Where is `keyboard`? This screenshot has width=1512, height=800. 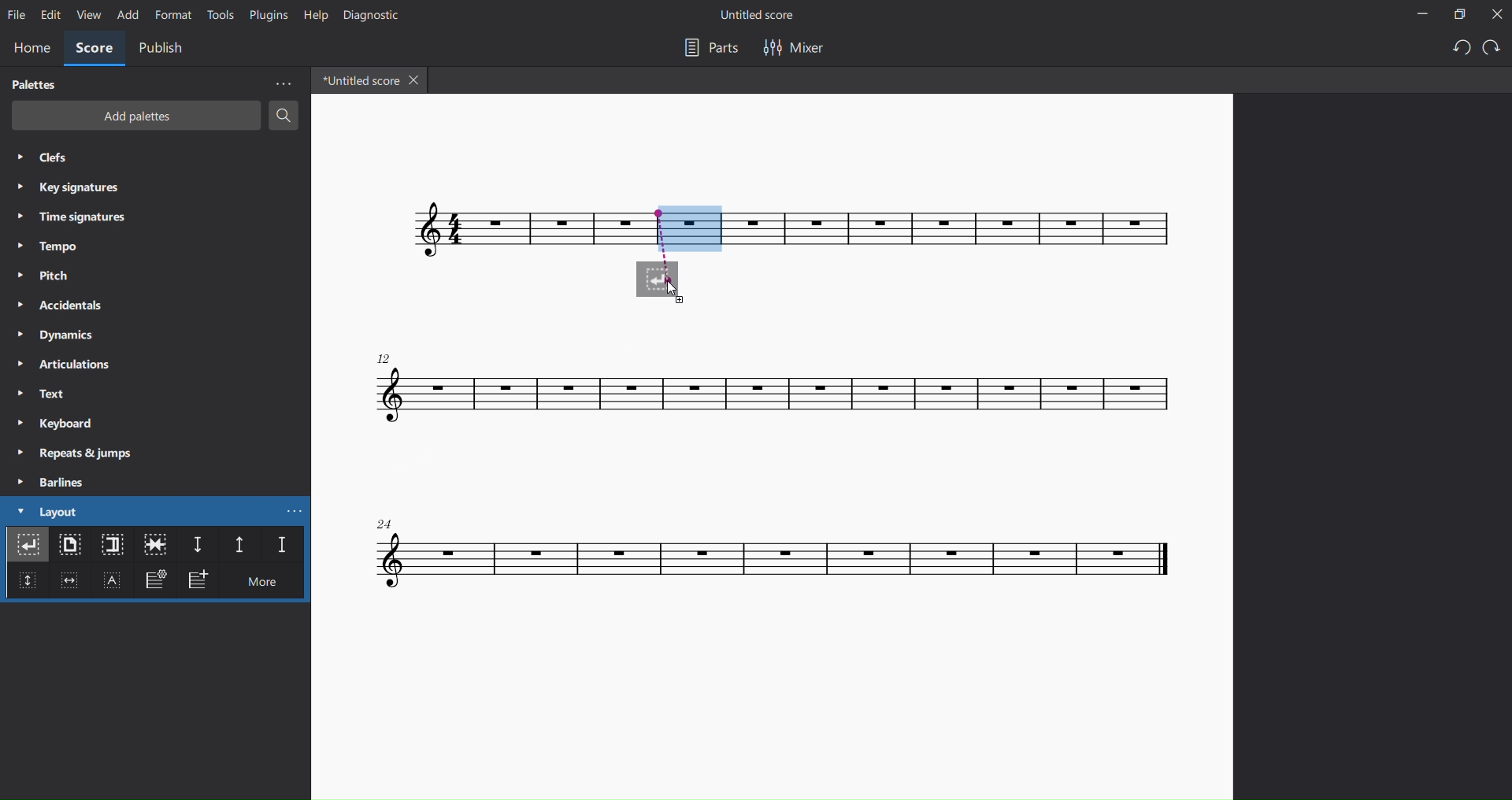
keyboard is located at coordinates (55, 424).